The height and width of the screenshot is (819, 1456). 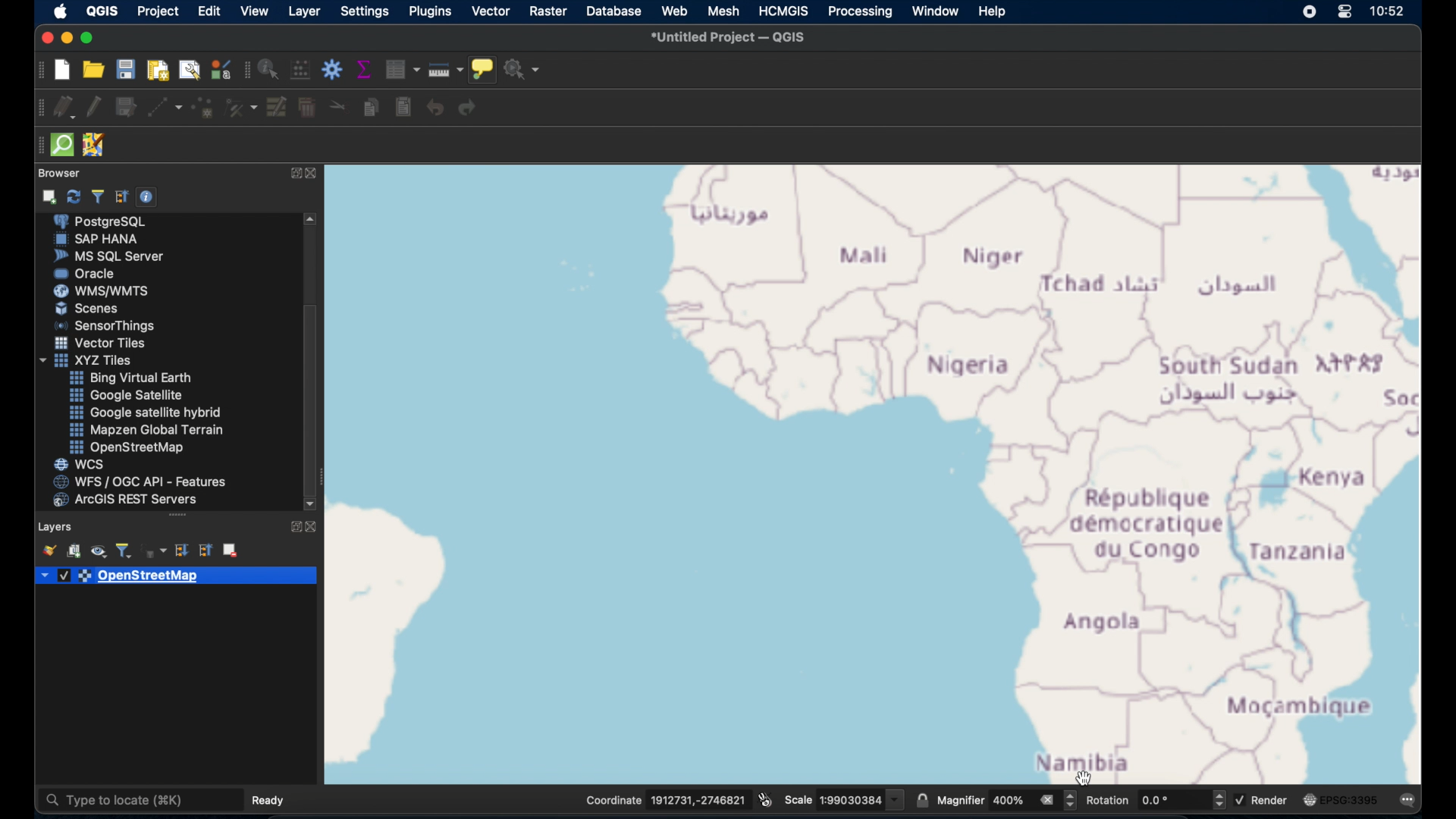 What do you see at coordinates (60, 11) in the screenshot?
I see `apple. logo` at bounding box center [60, 11].